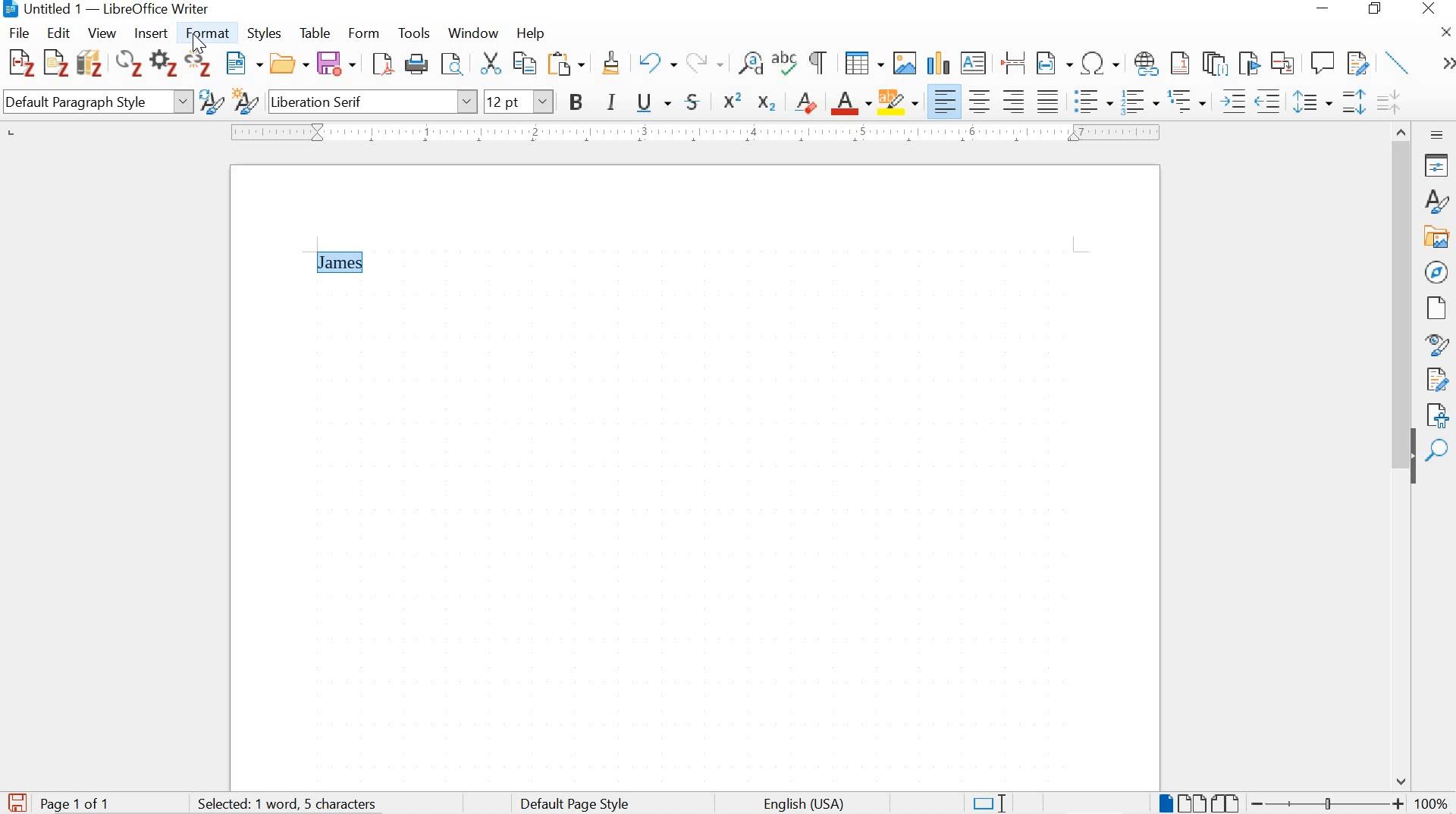 This screenshot has height=814, width=1456. I want to click on track changes function, so click(1355, 61).